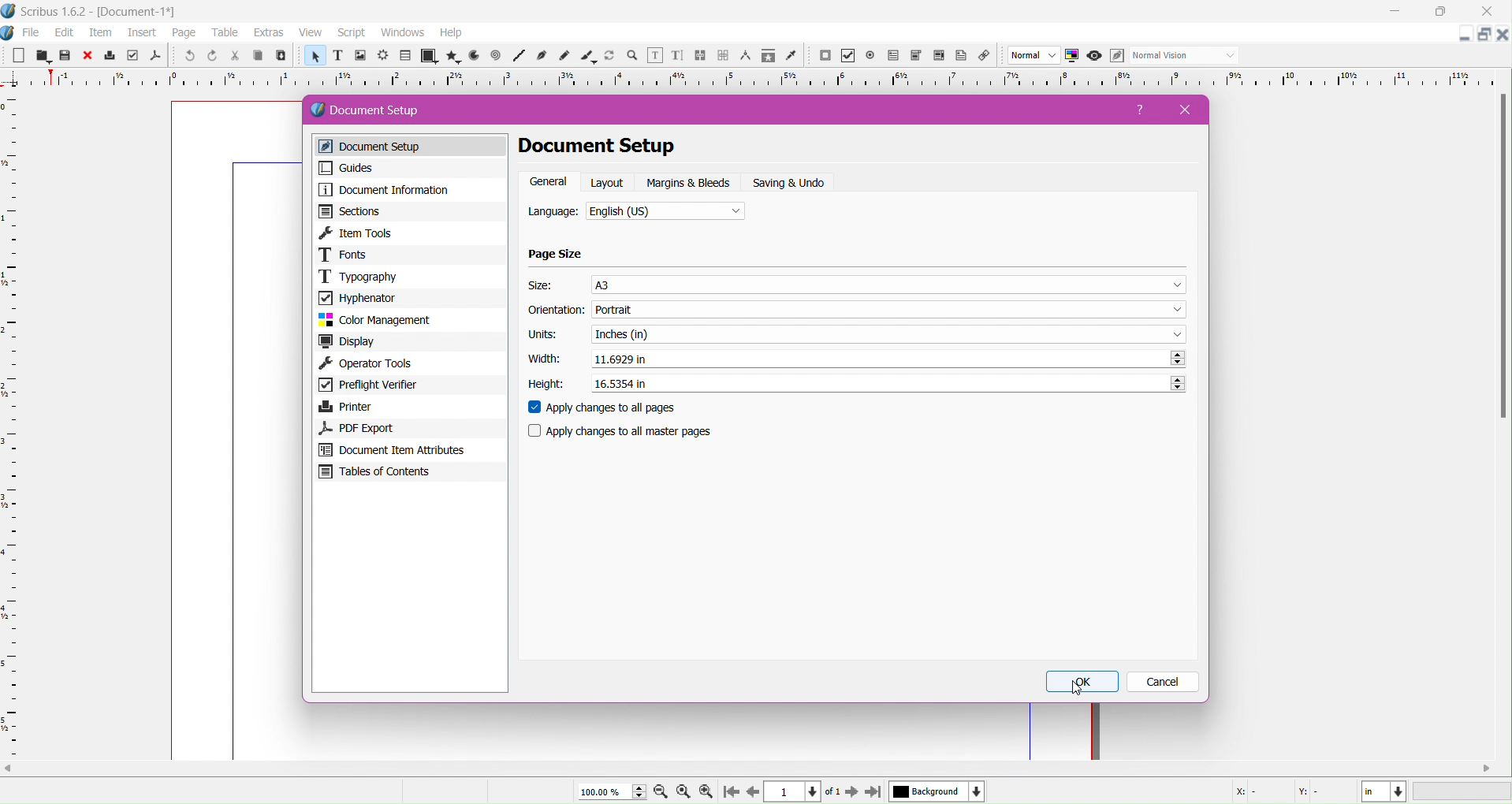  What do you see at coordinates (654, 56) in the screenshot?
I see `edit contents of frames` at bounding box center [654, 56].